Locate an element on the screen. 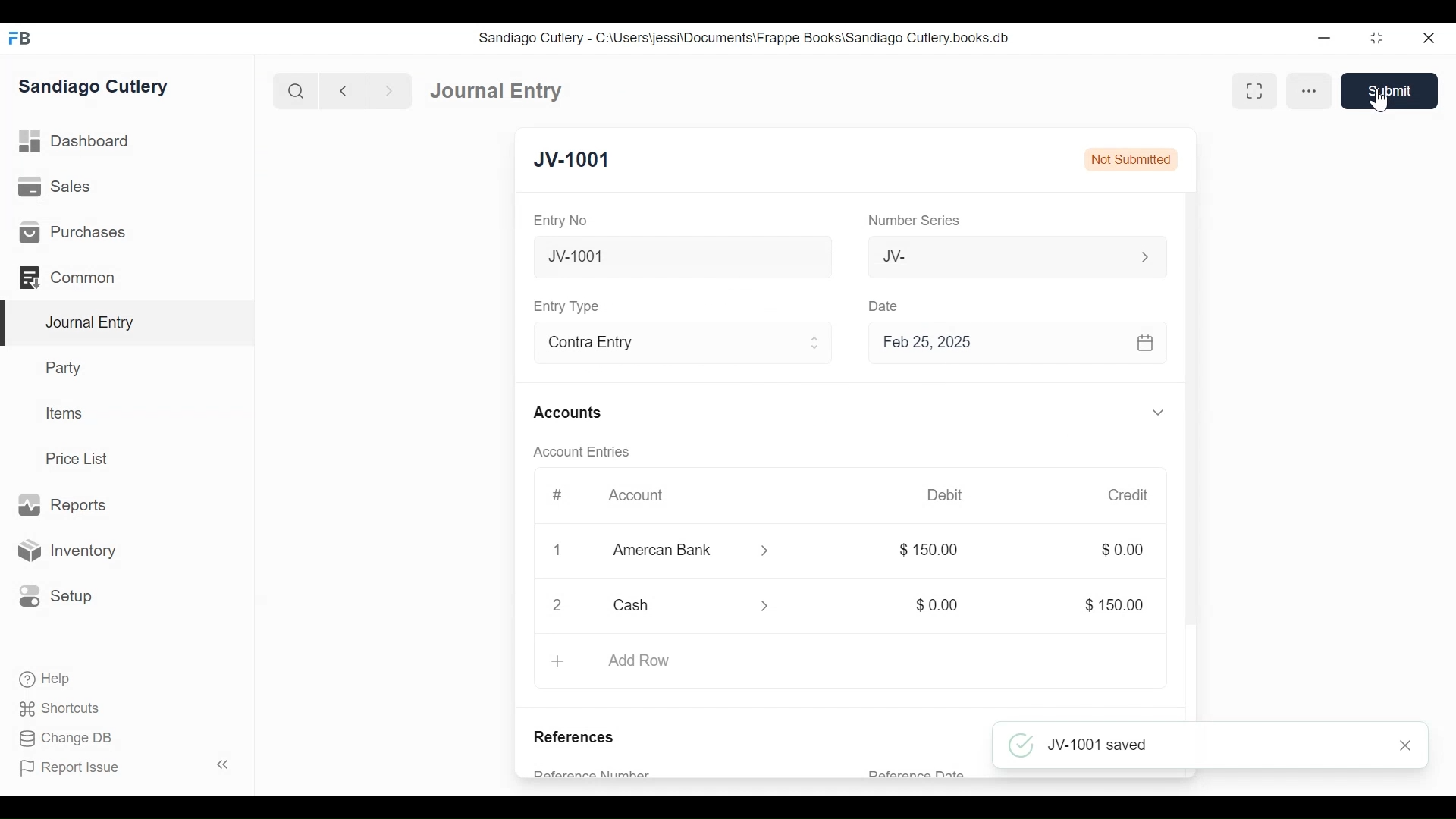 This screenshot has height=819, width=1456. Price List is located at coordinates (82, 459).